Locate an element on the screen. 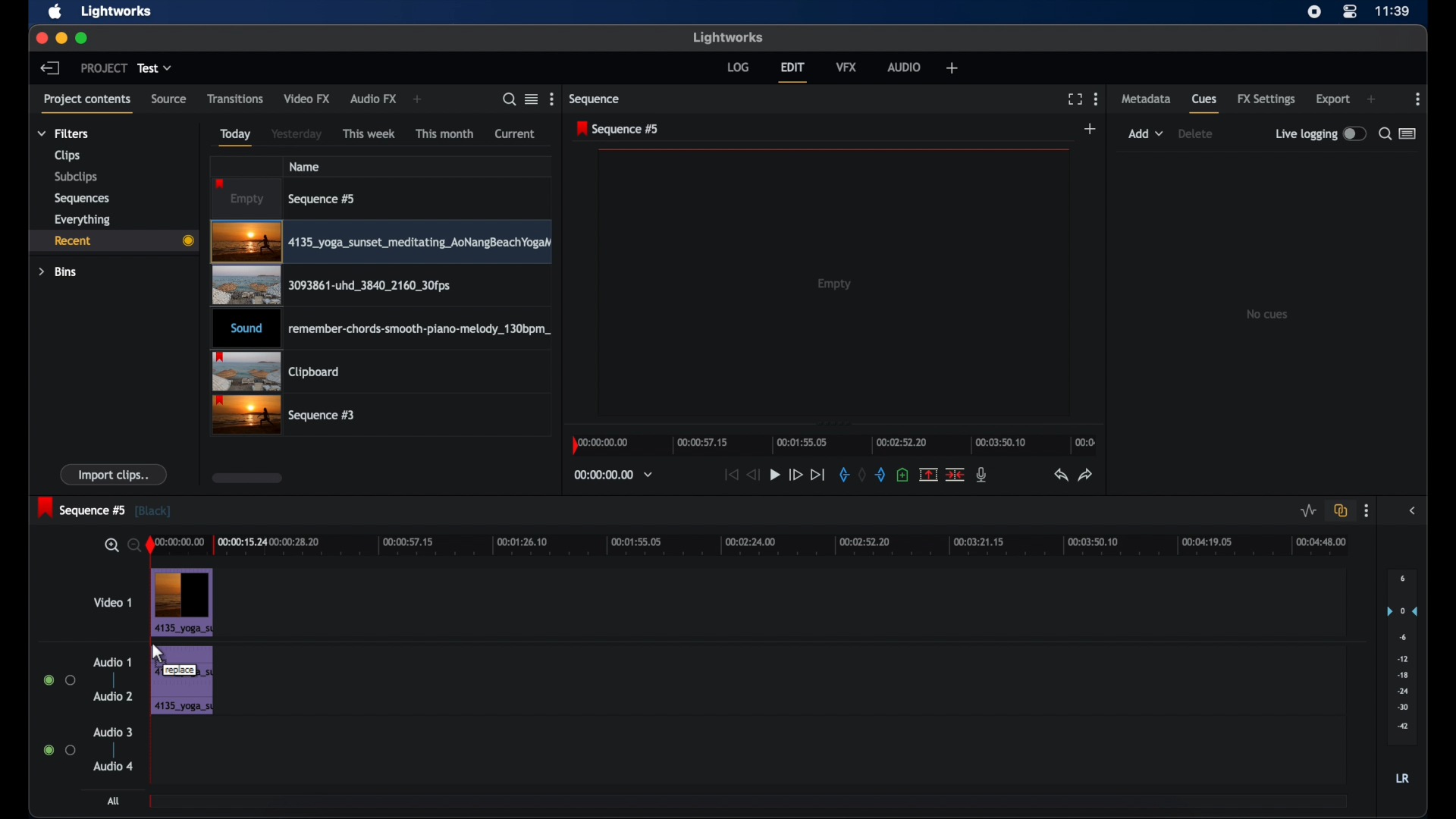 The width and height of the screenshot is (1456, 819). sidebar is located at coordinates (1412, 511).